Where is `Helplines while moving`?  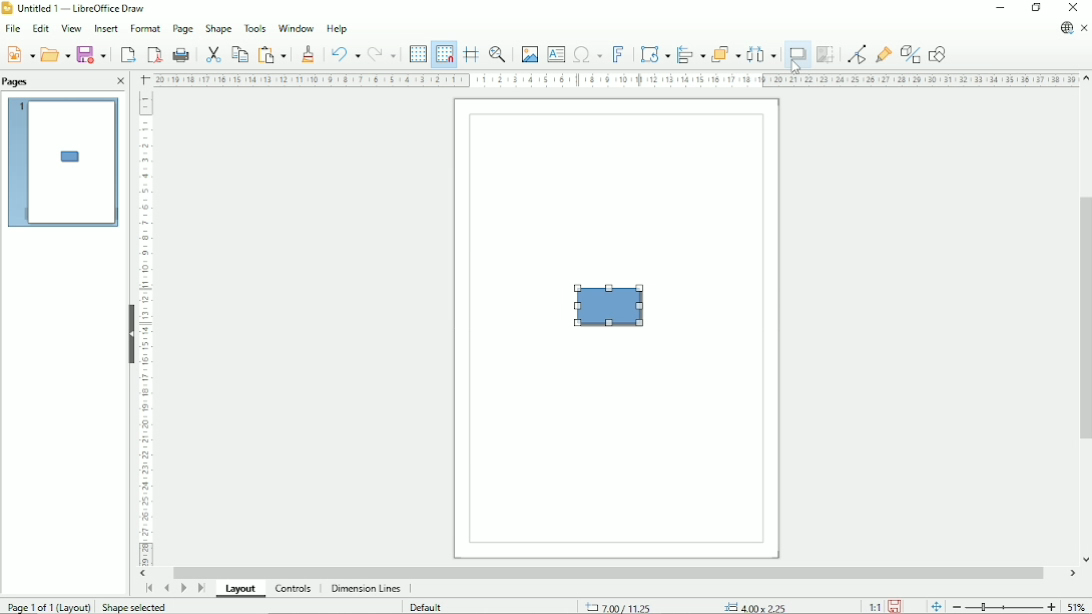 Helplines while moving is located at coordinates (472, 53).